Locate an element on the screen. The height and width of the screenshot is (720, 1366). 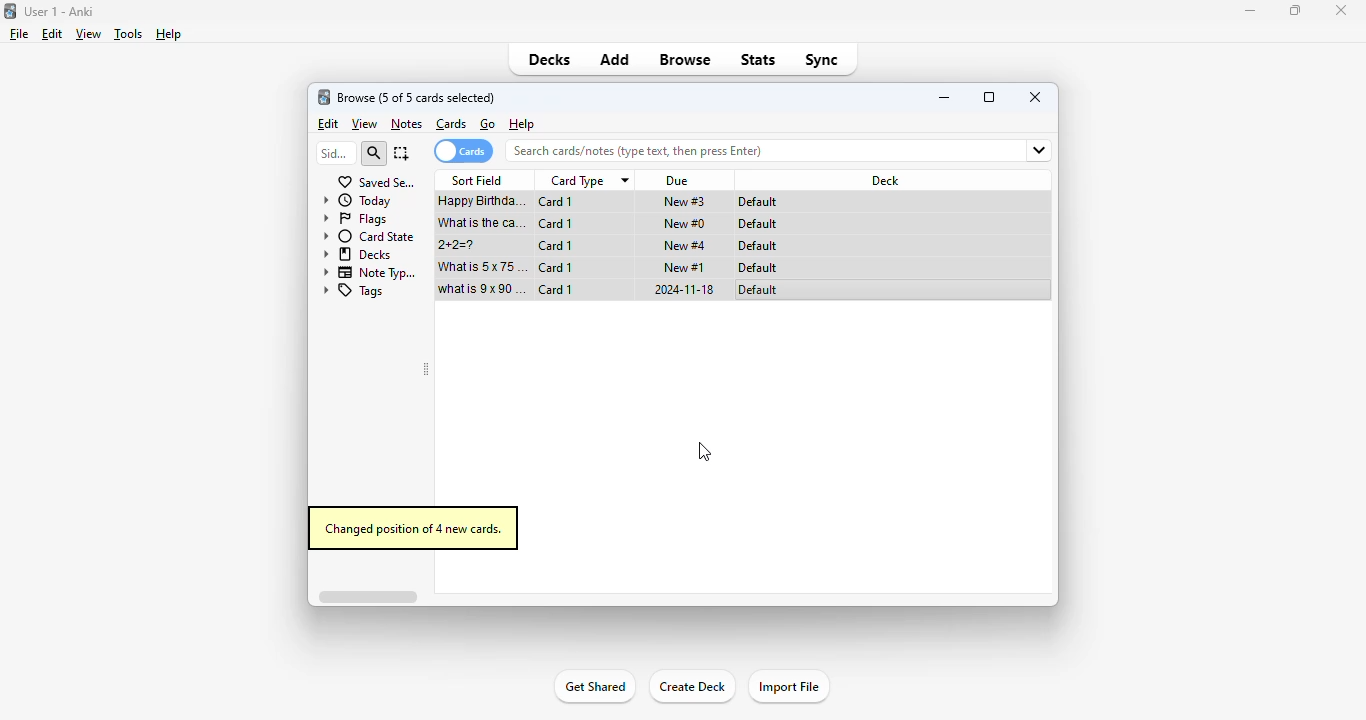
minimize is located at coordinates (1249, 11).